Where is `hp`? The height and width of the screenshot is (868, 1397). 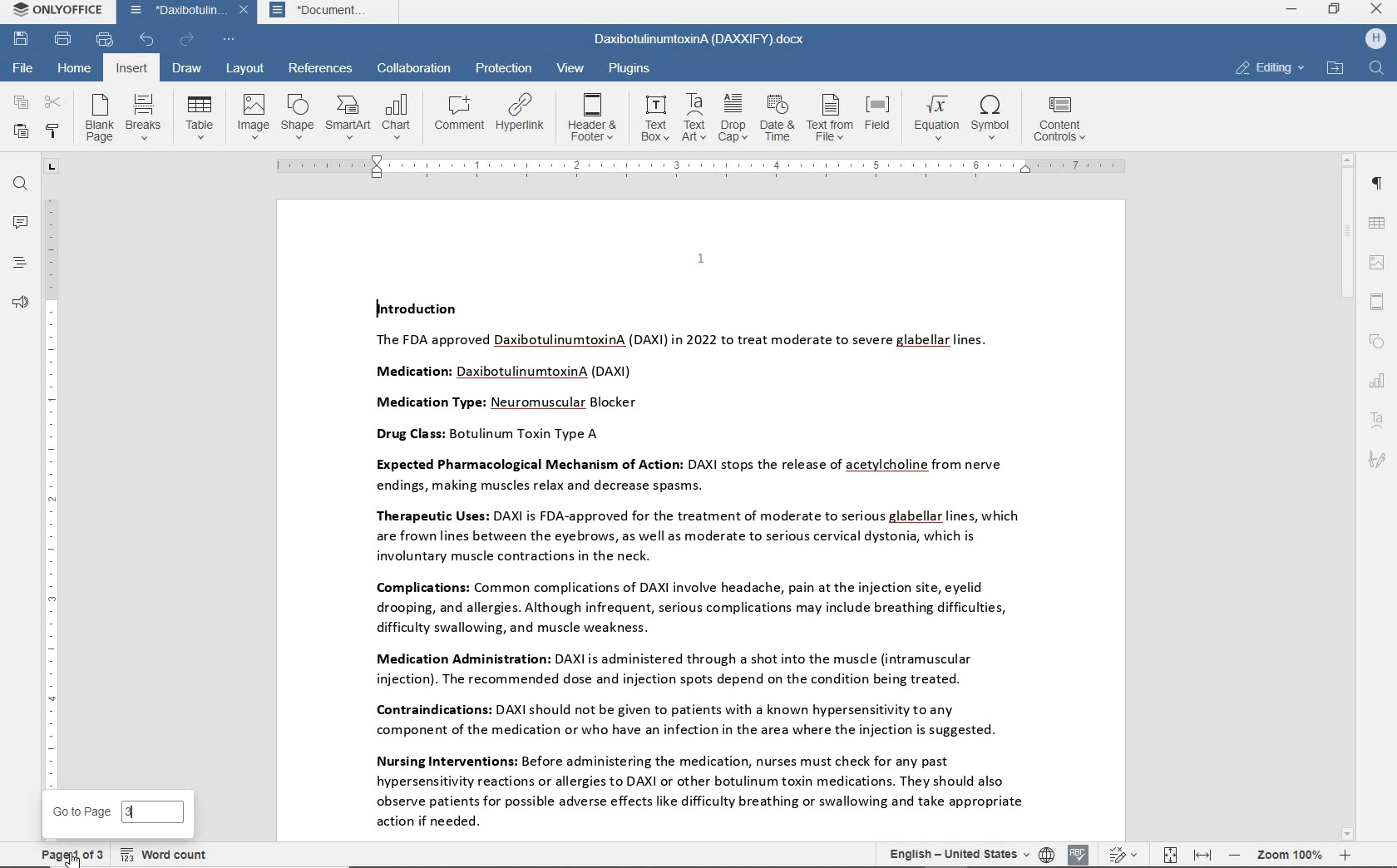 hp is located at coordinates (1375, 40).